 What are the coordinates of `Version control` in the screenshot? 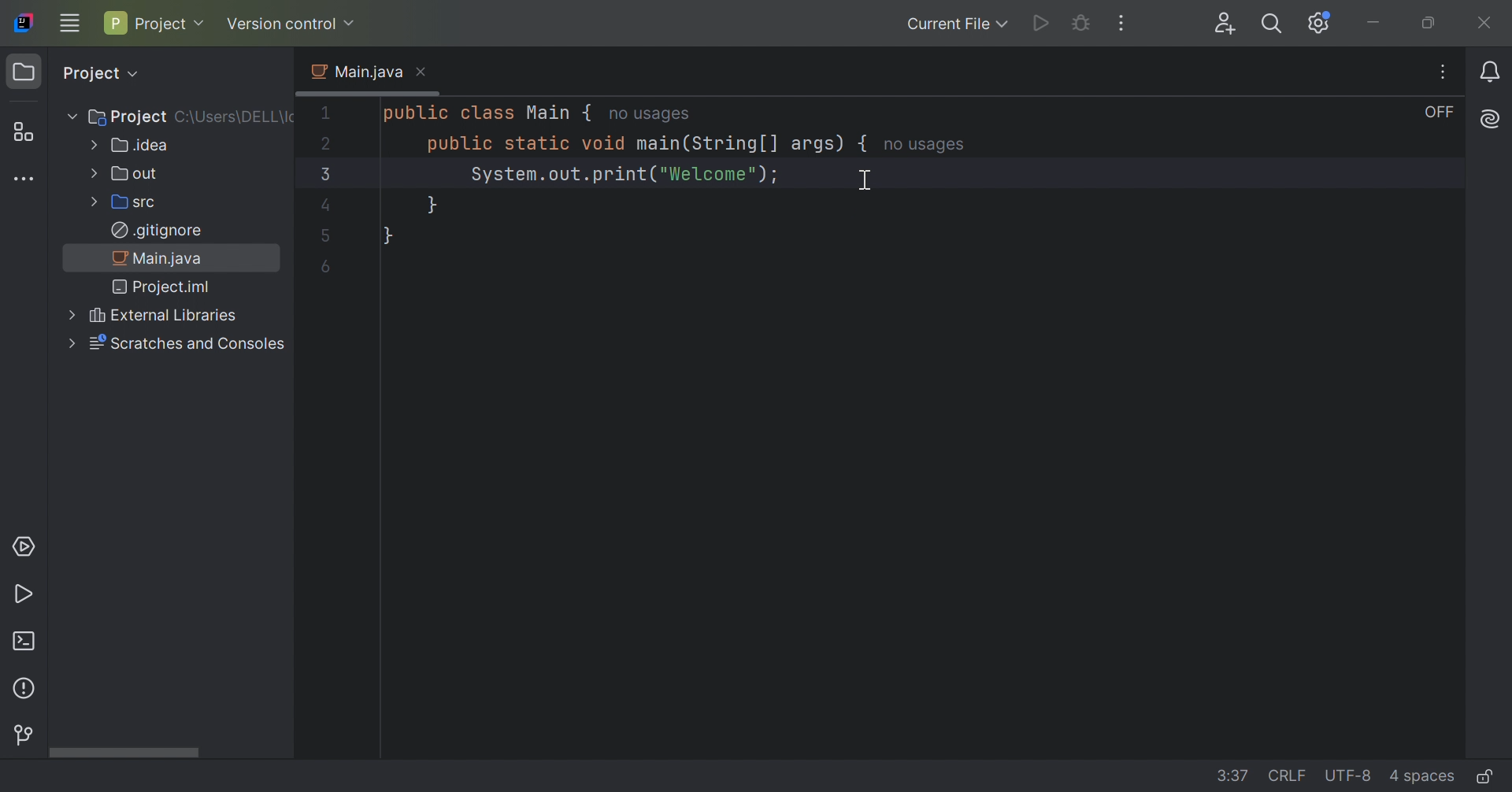 It's located at (291, 24).